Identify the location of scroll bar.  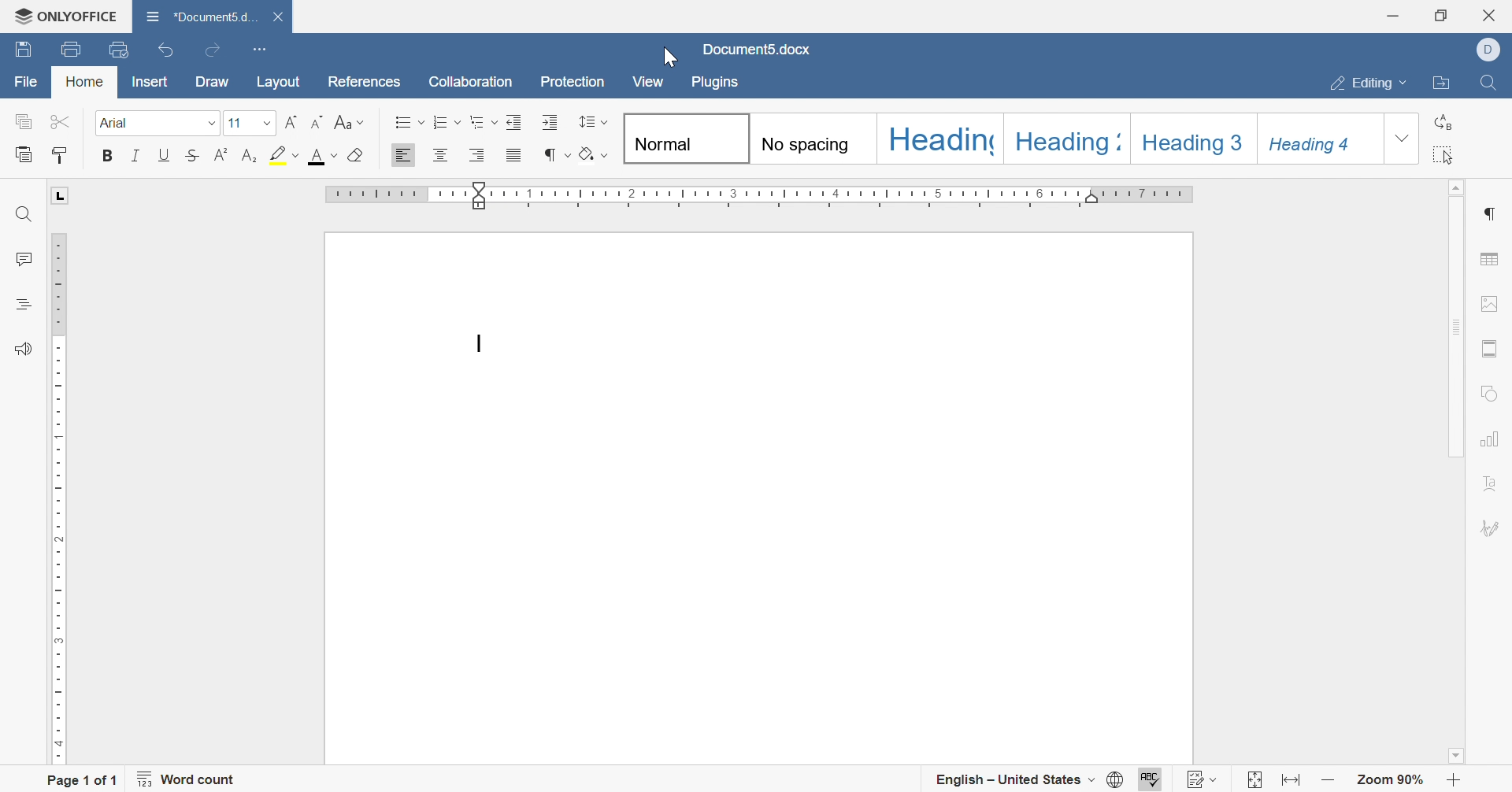
(1459, 325).